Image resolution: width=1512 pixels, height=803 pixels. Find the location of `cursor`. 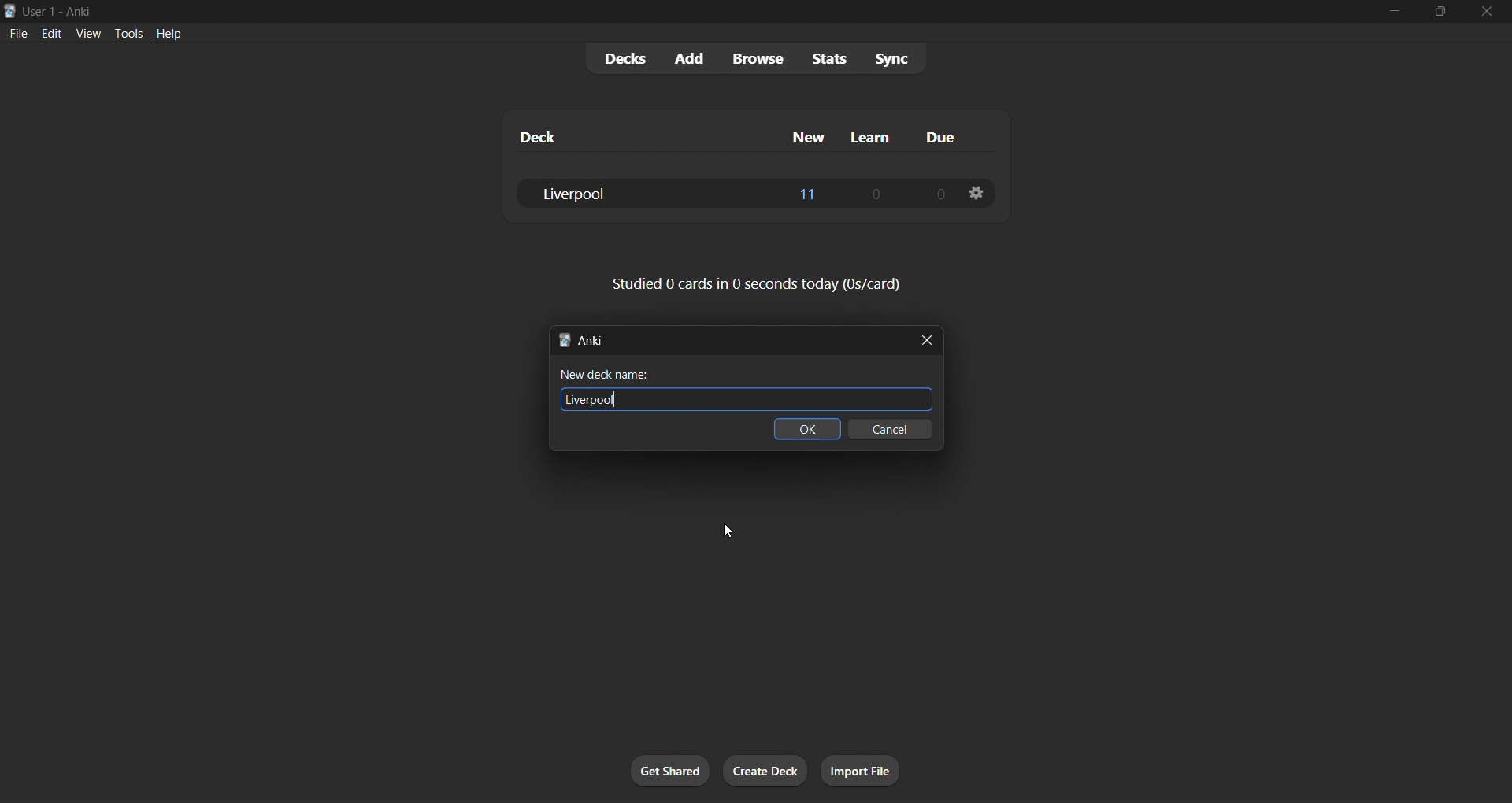

cursor is located at coordinates (731, 534).